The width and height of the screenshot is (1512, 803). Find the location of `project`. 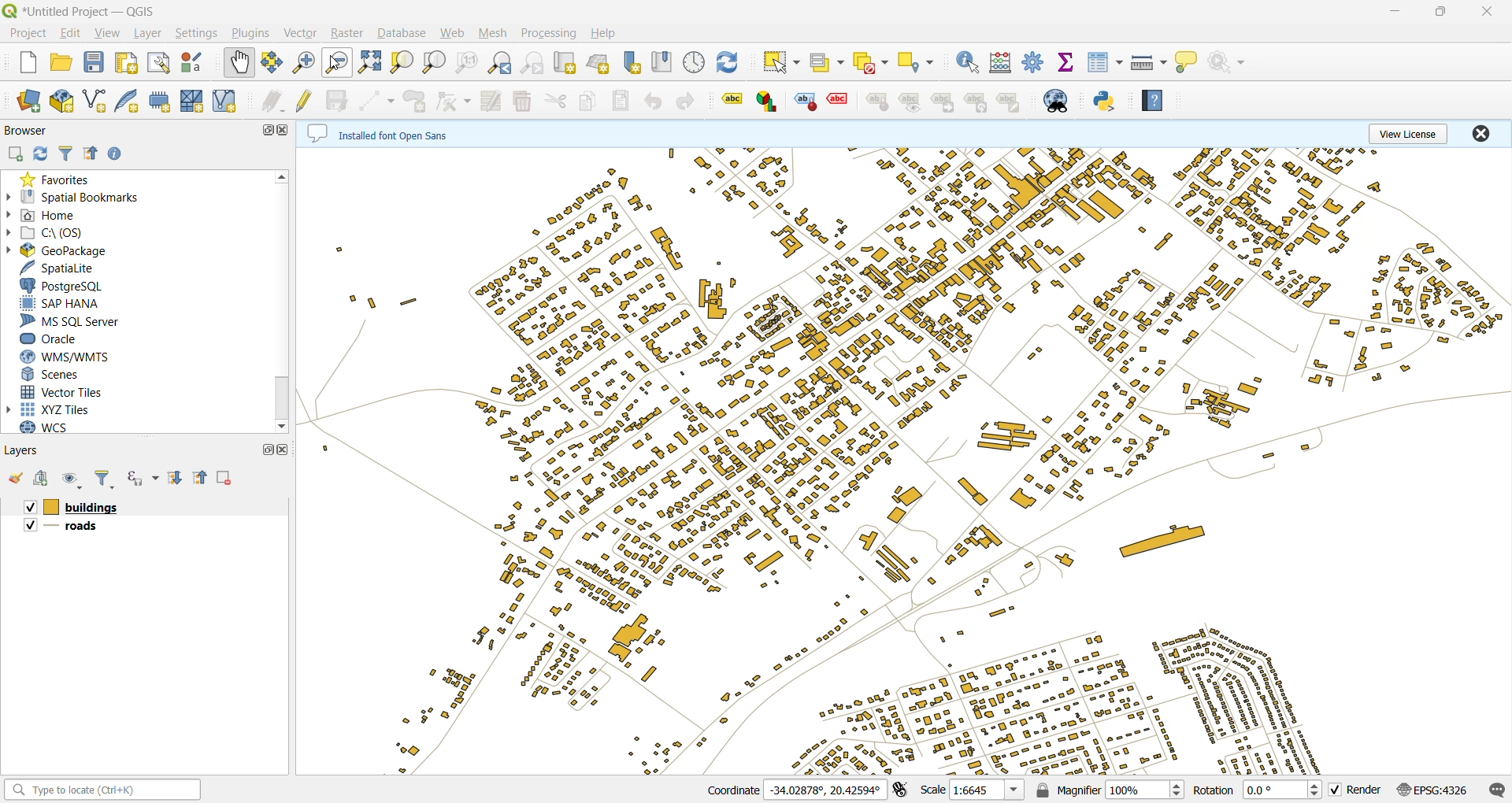

project is located at coordinates (28, 35).